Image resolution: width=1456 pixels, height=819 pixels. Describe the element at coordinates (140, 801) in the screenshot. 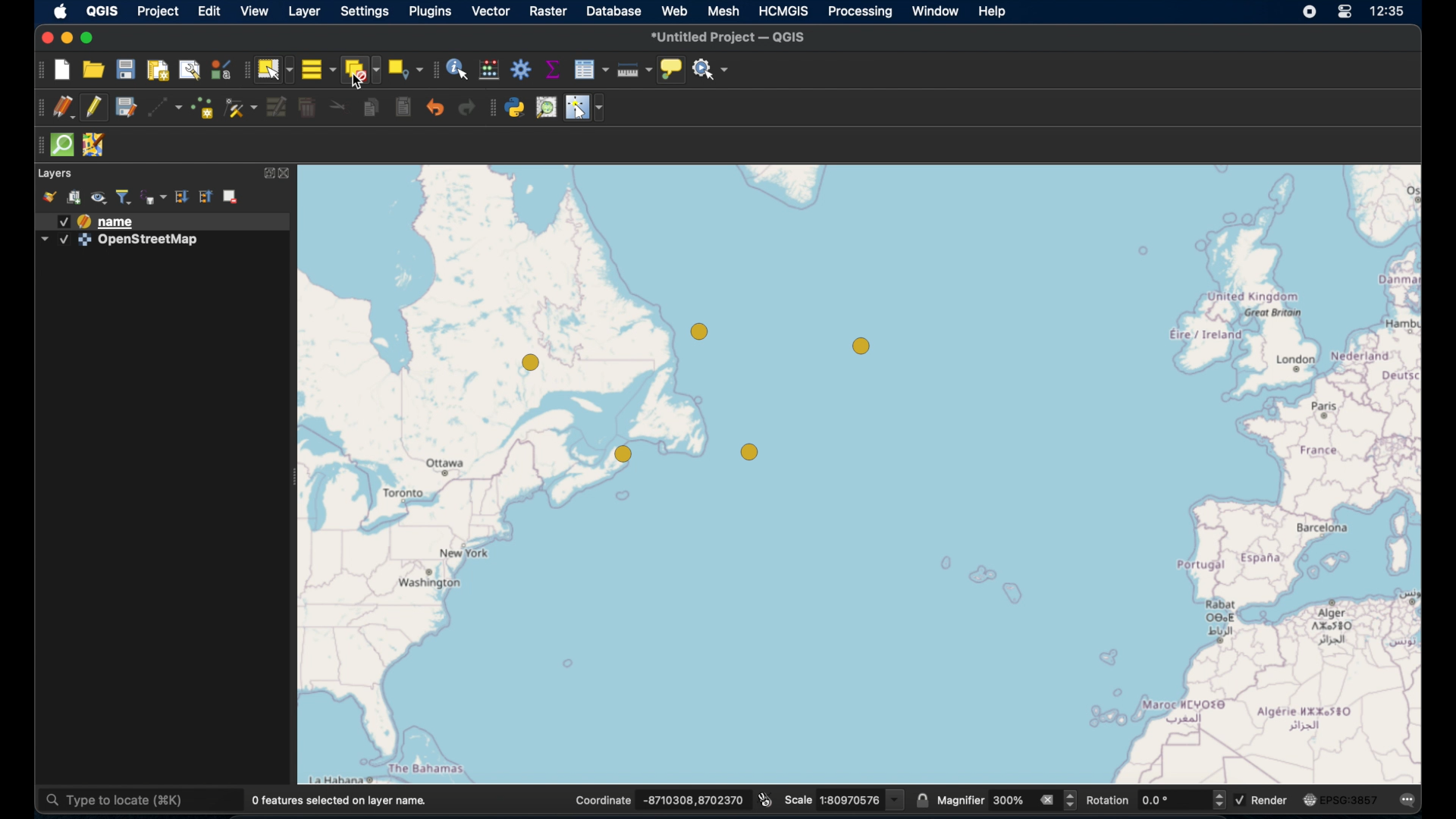

I see `type to locate` at that location.